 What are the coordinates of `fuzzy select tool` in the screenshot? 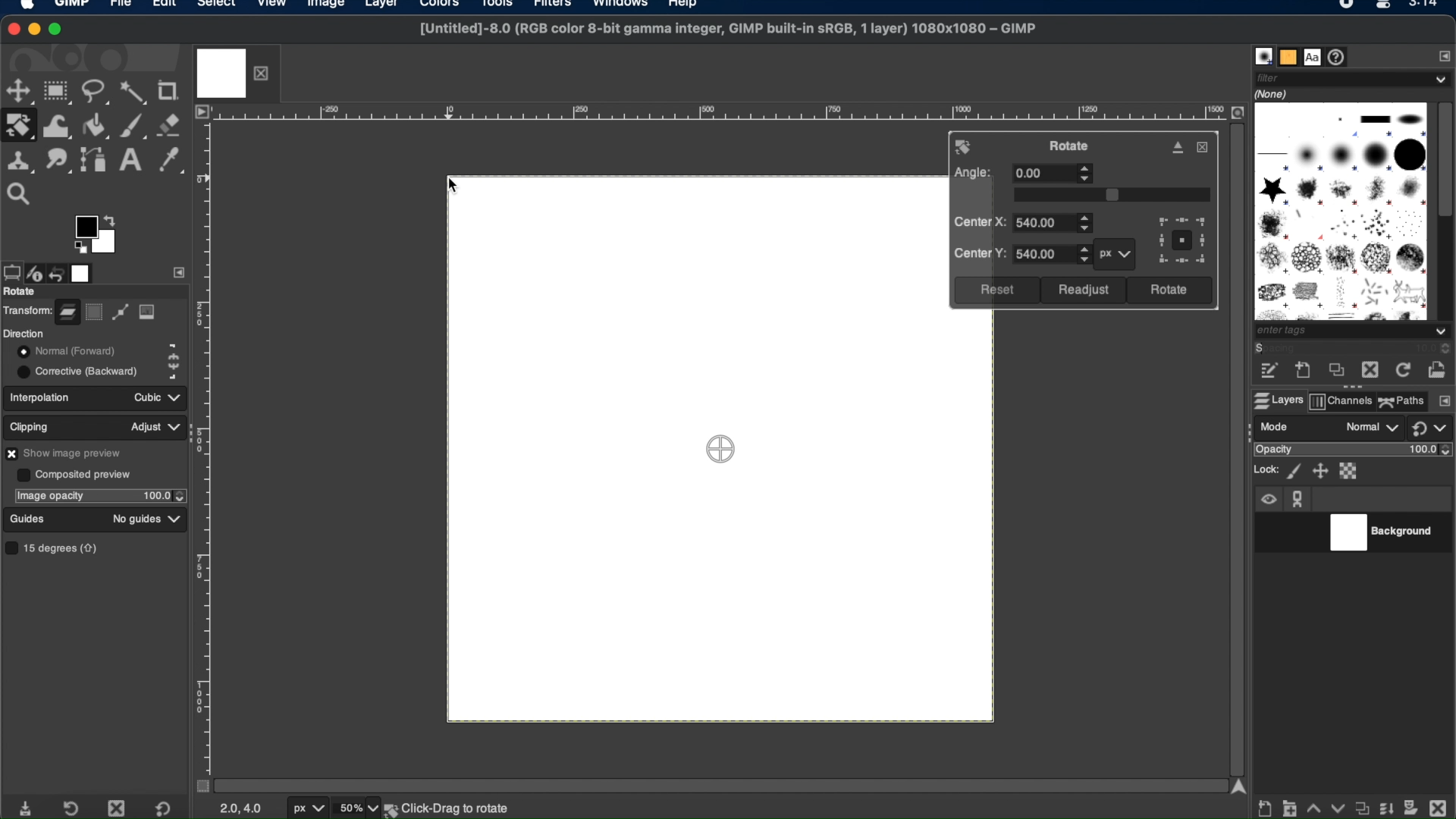 It's located at (134, 93).